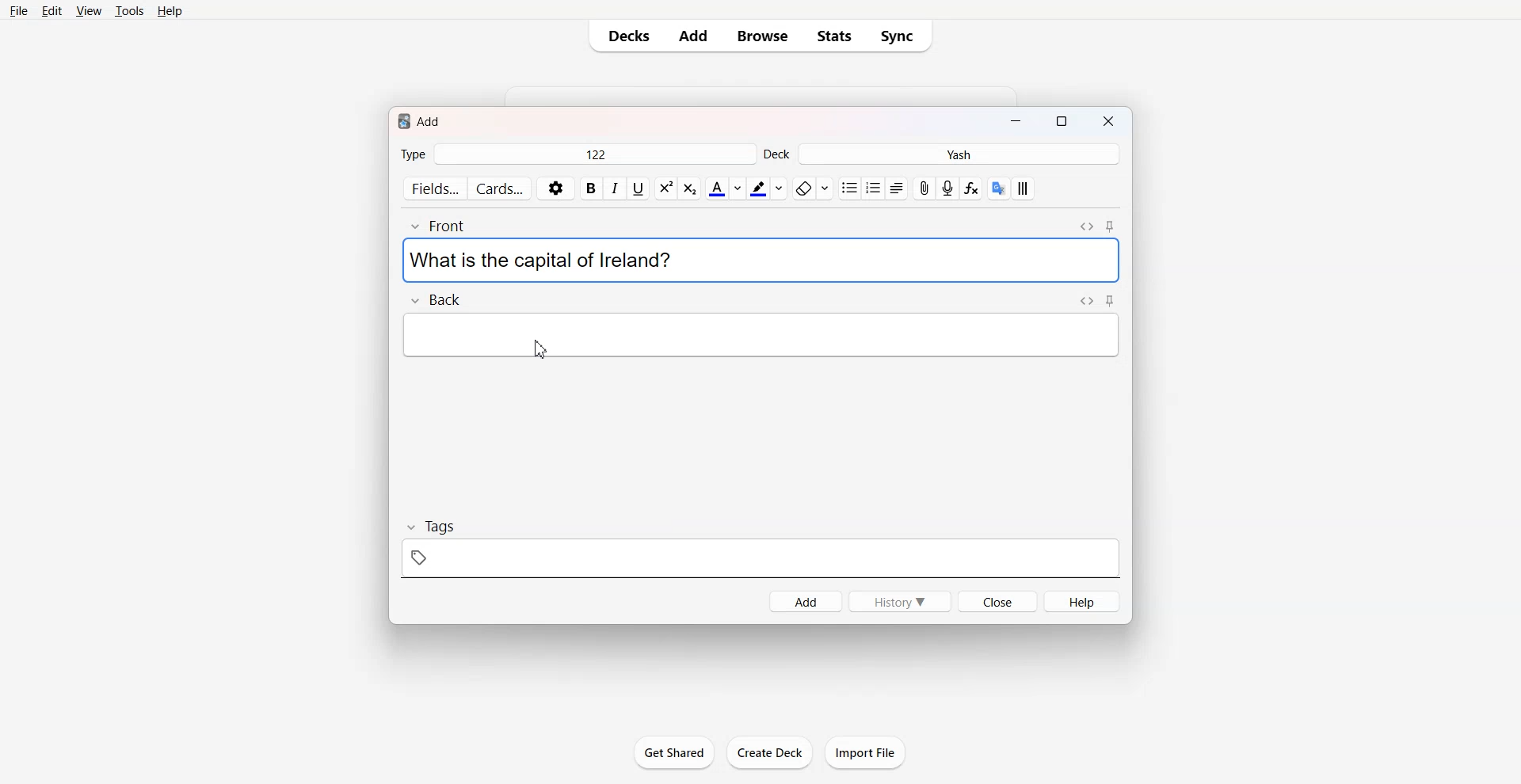  Describe the element at coordinates (1111, 300) in the screenshot. I see `Toggle Sticky` at that location.